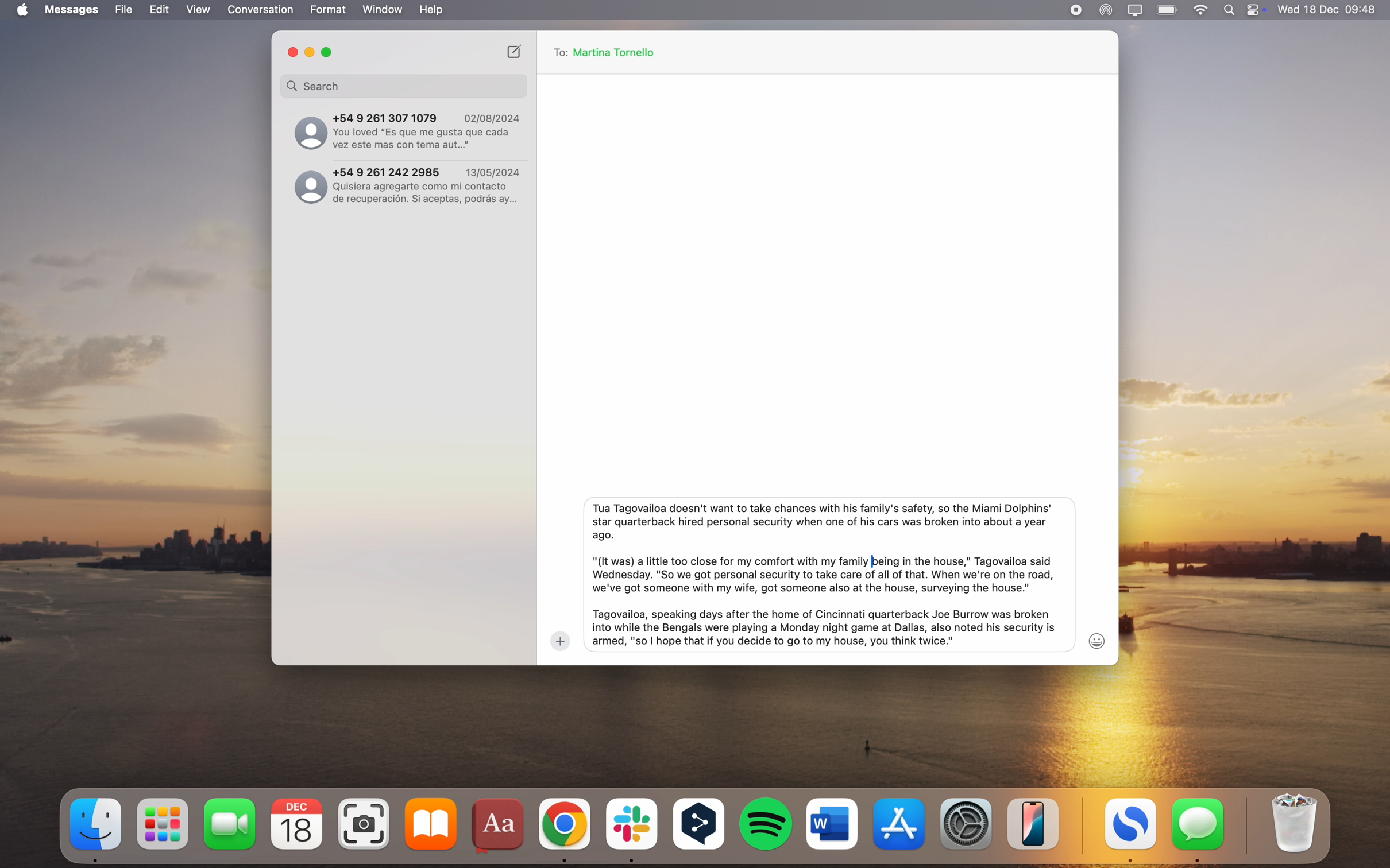  Describe the element at coordinates (291, 52) in the screenshot. I see `close app` at that location.